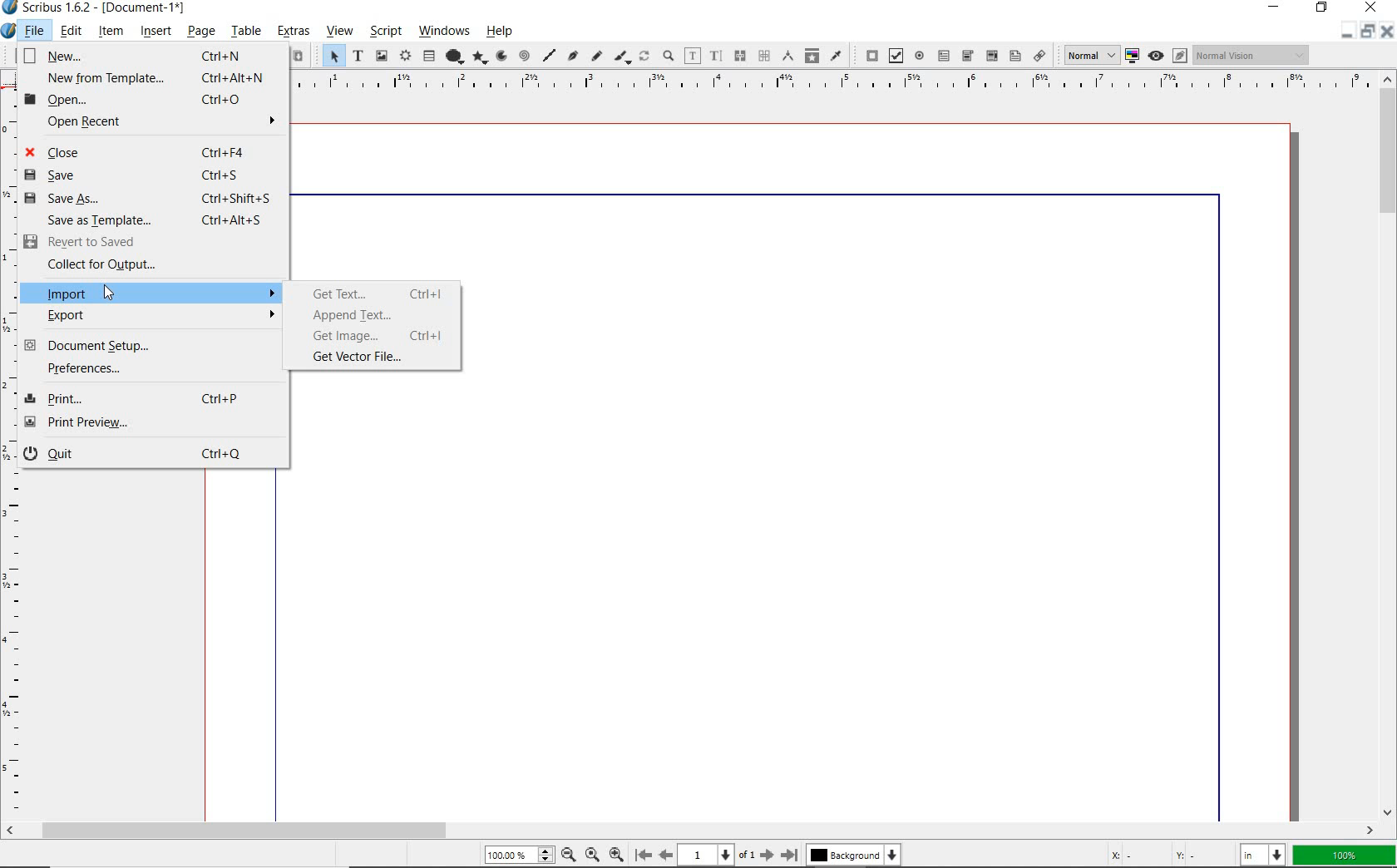 This screenshot has height=868, width=1397. I want to click on Open Recent, so click(153, 122).